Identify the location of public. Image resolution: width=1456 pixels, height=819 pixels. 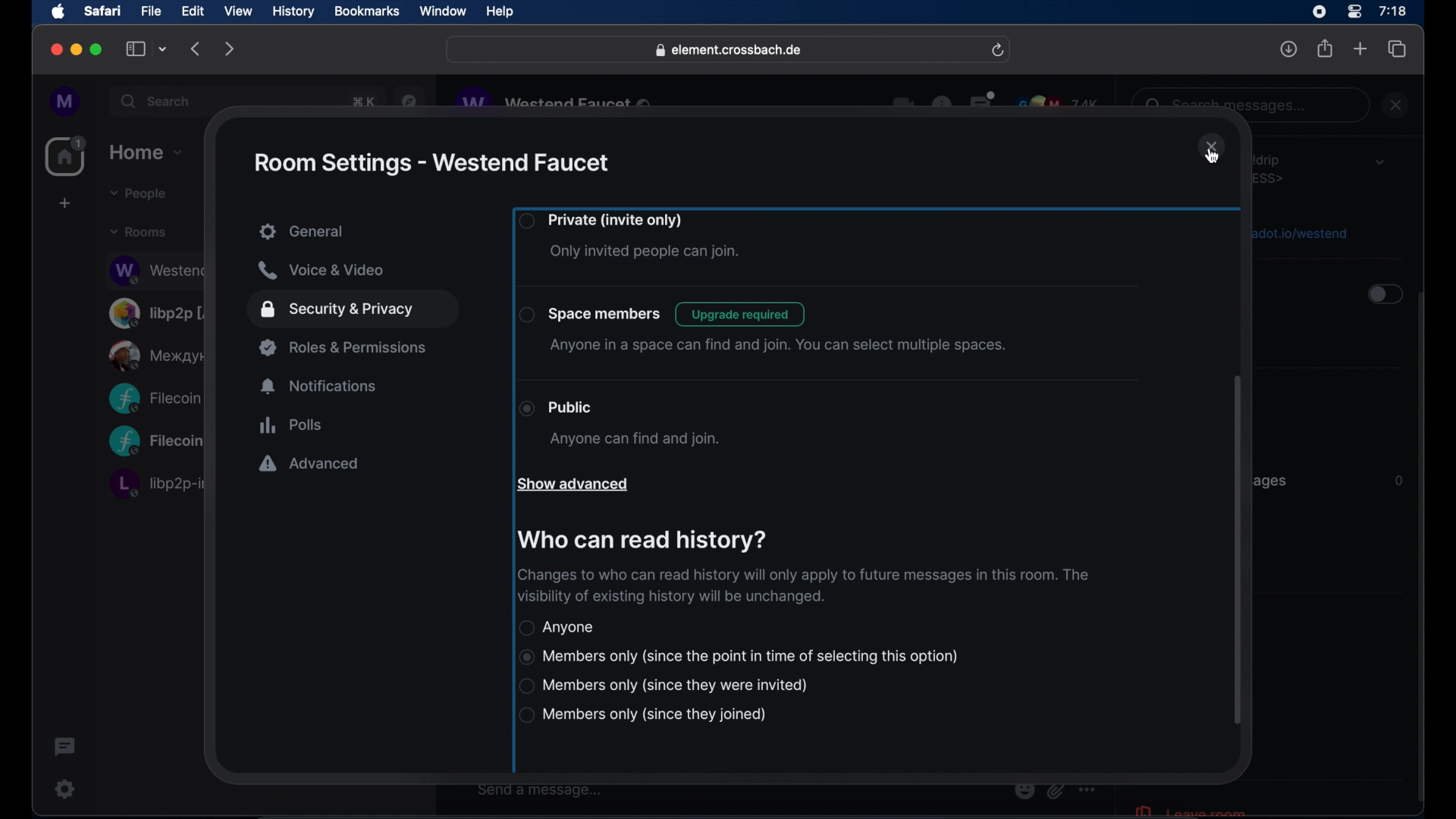
(619, 424).